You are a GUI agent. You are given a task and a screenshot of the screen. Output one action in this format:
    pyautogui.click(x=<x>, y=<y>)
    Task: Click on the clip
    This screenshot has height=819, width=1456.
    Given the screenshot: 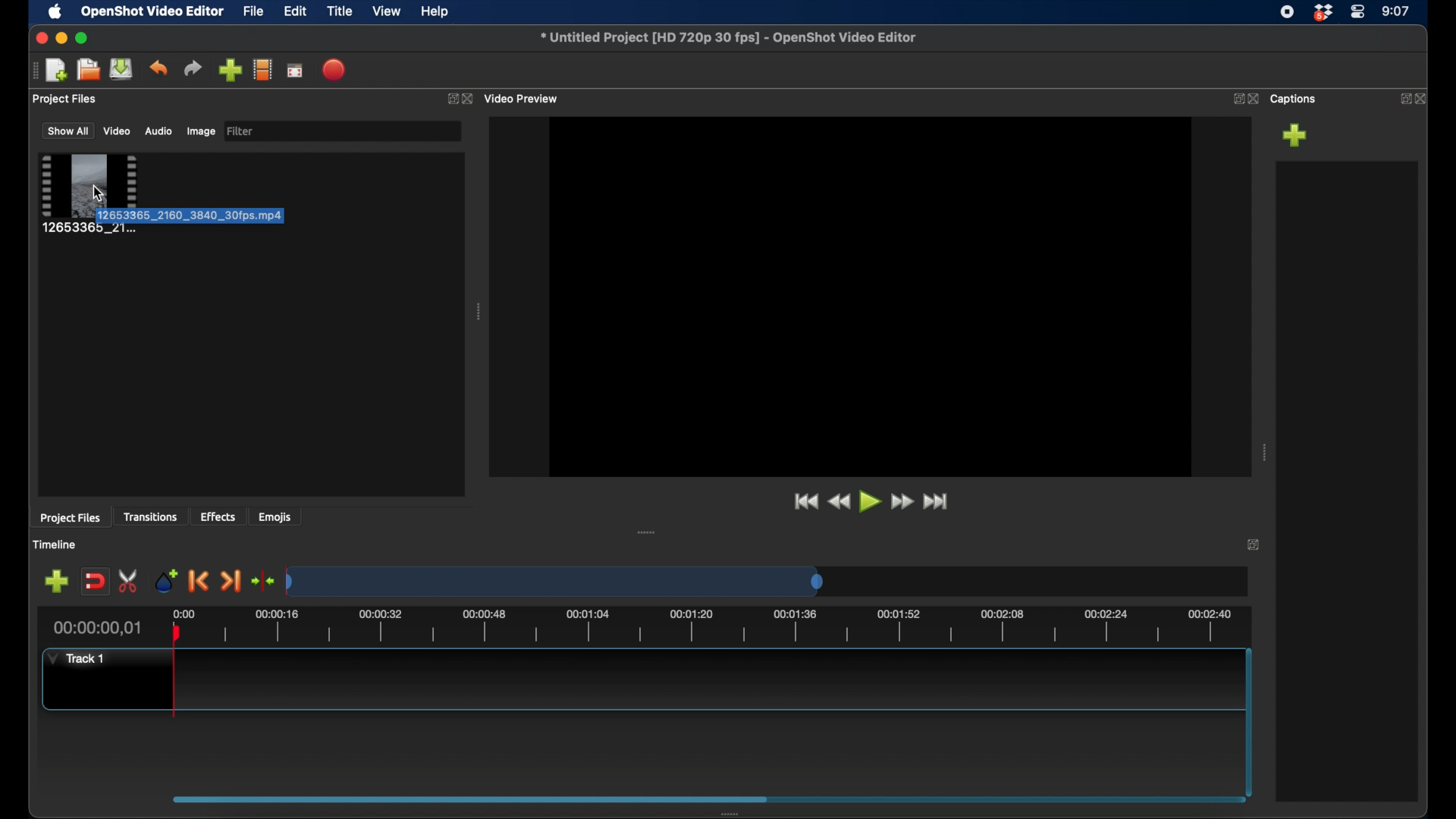 What is the action you would take?
    pyautogui.click(x=89, y=193)
    